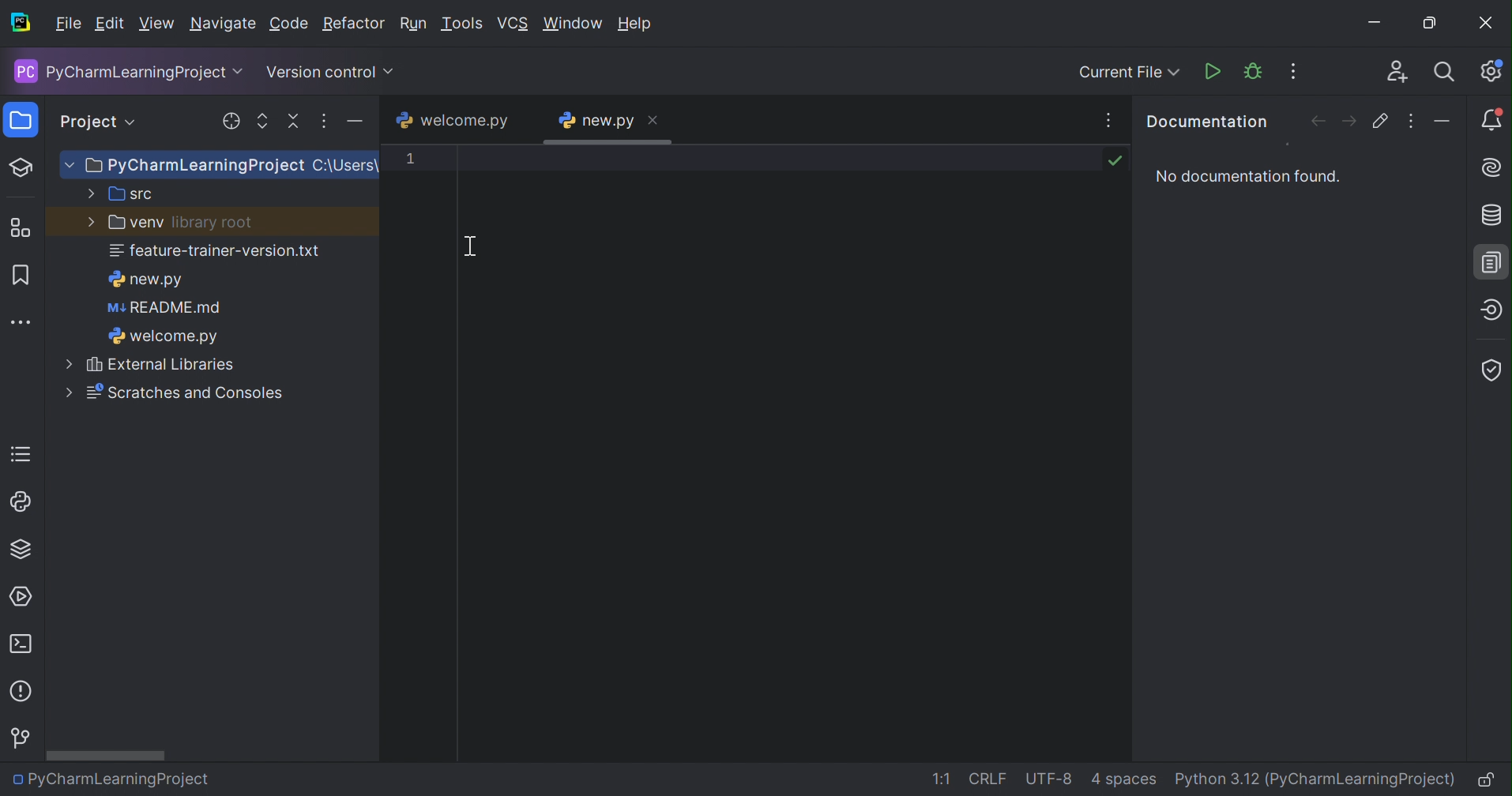  Describe the element at coordinates (1126, 782) in the screenshot. I see `4 spaces` at that location.